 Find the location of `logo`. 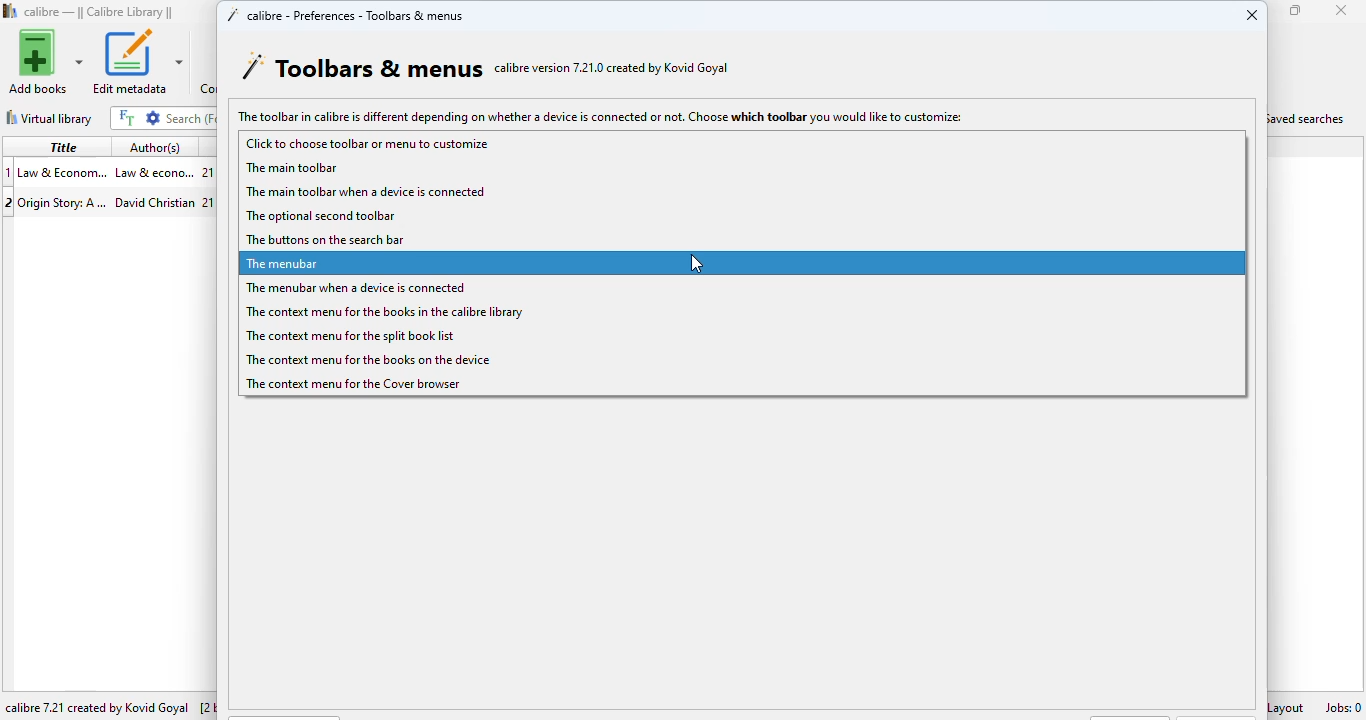

logo is located at coordinates (11, 10).